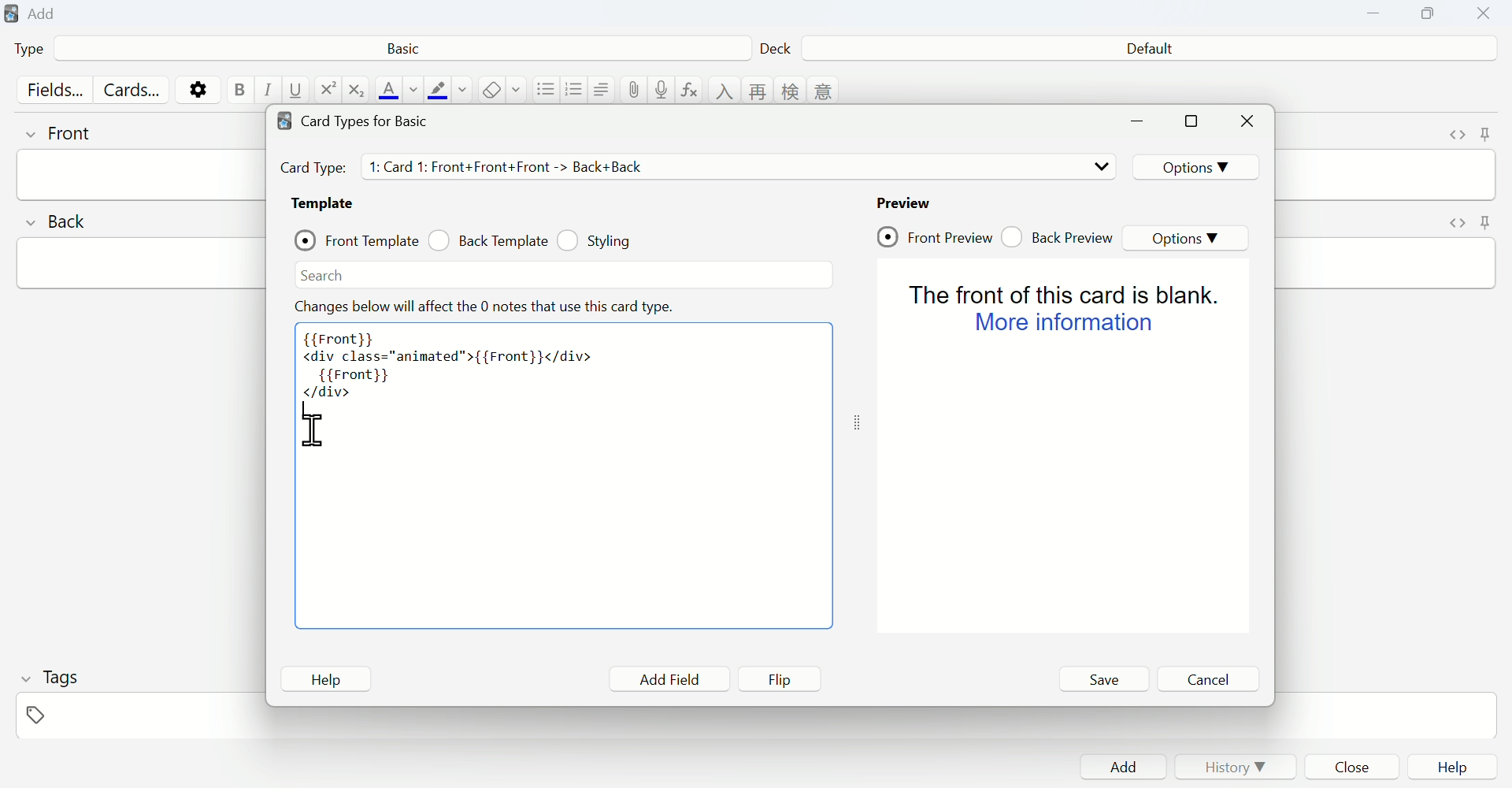  Describe the element at coordinates (59, 676) in the screenshot. I see `Tags` at that location.